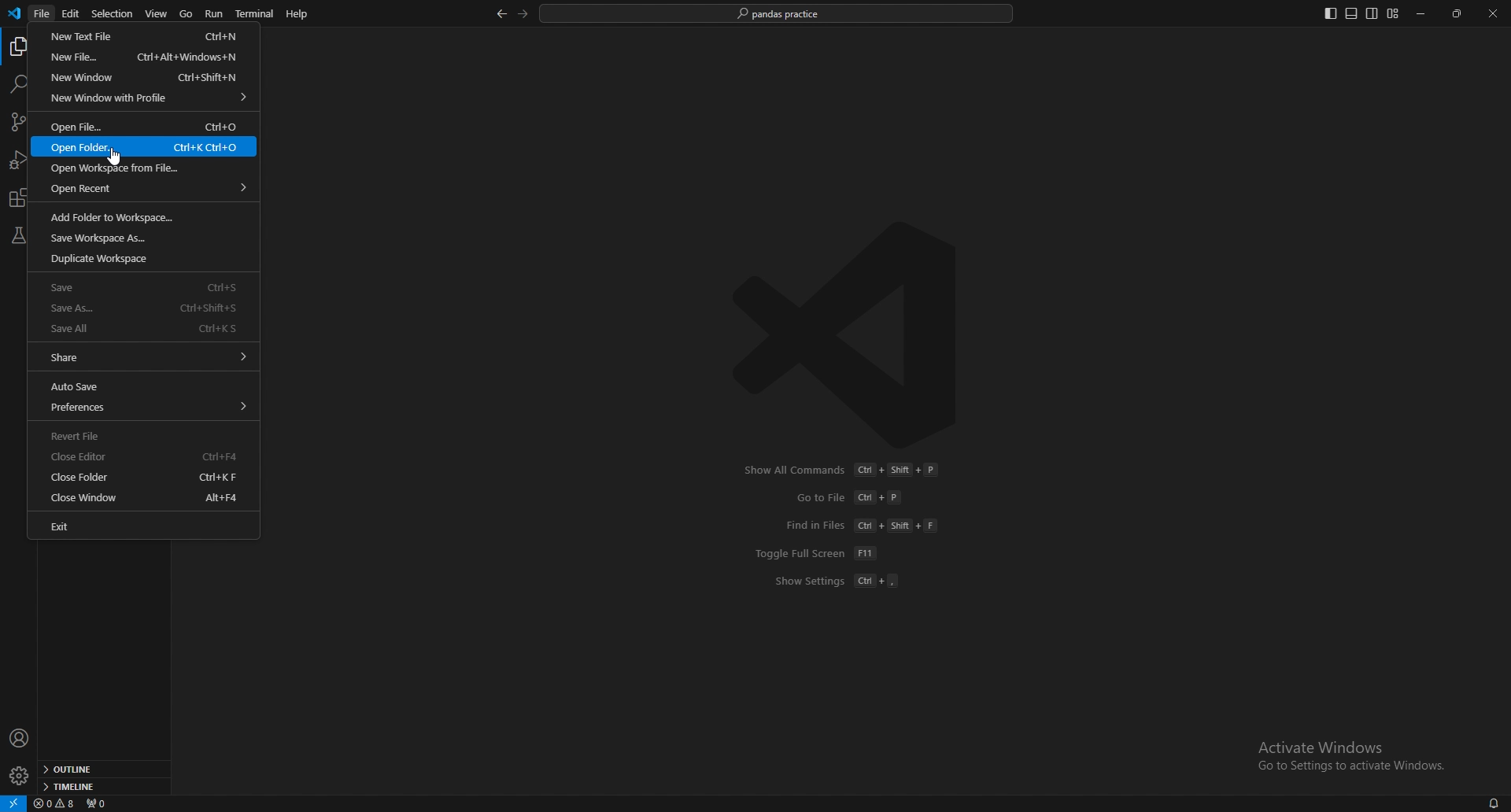  Describe the element at coordinates (19, 235) in the screenshot. I see `testing` at that location.